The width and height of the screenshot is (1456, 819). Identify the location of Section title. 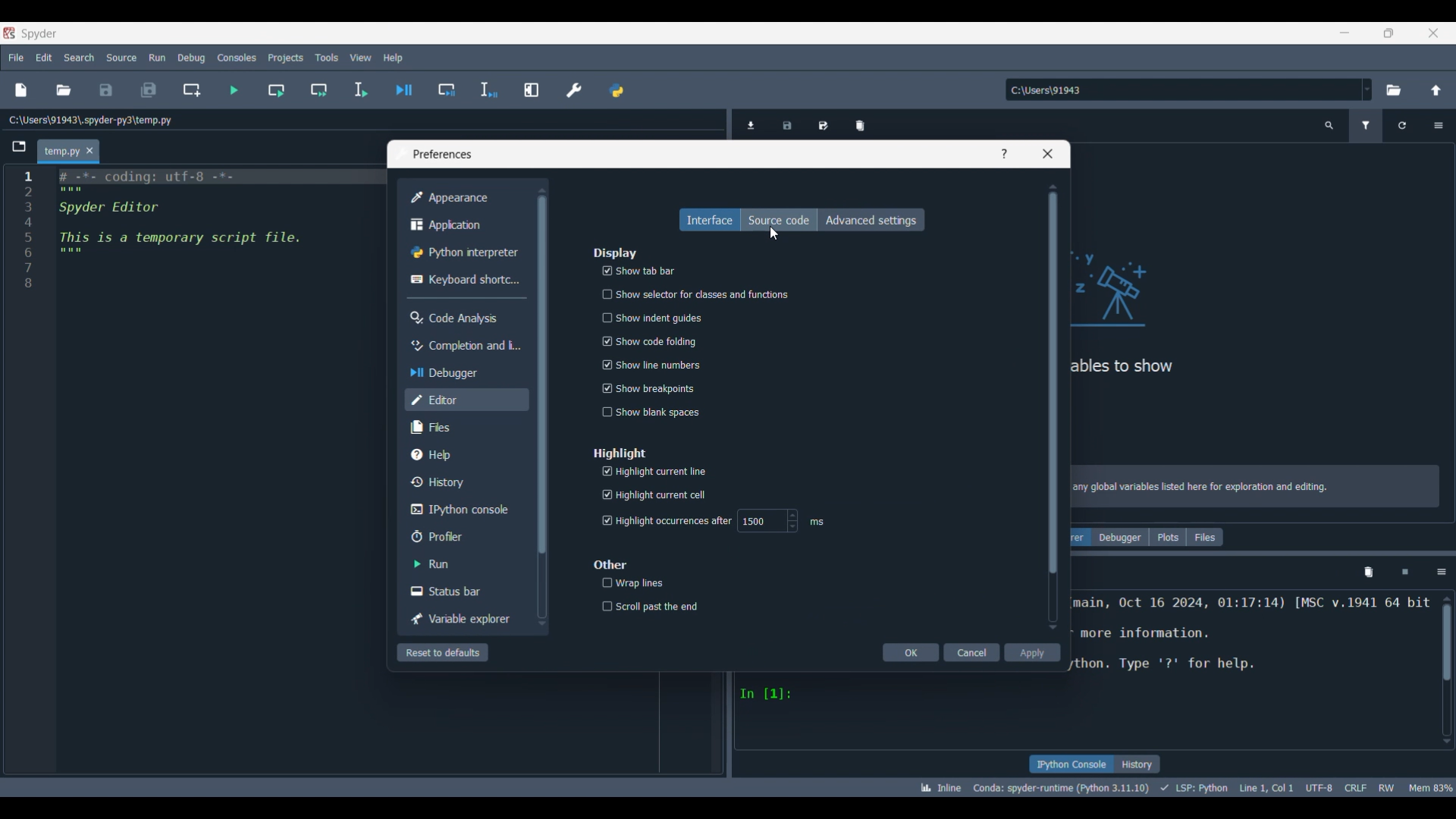
(621, 453).